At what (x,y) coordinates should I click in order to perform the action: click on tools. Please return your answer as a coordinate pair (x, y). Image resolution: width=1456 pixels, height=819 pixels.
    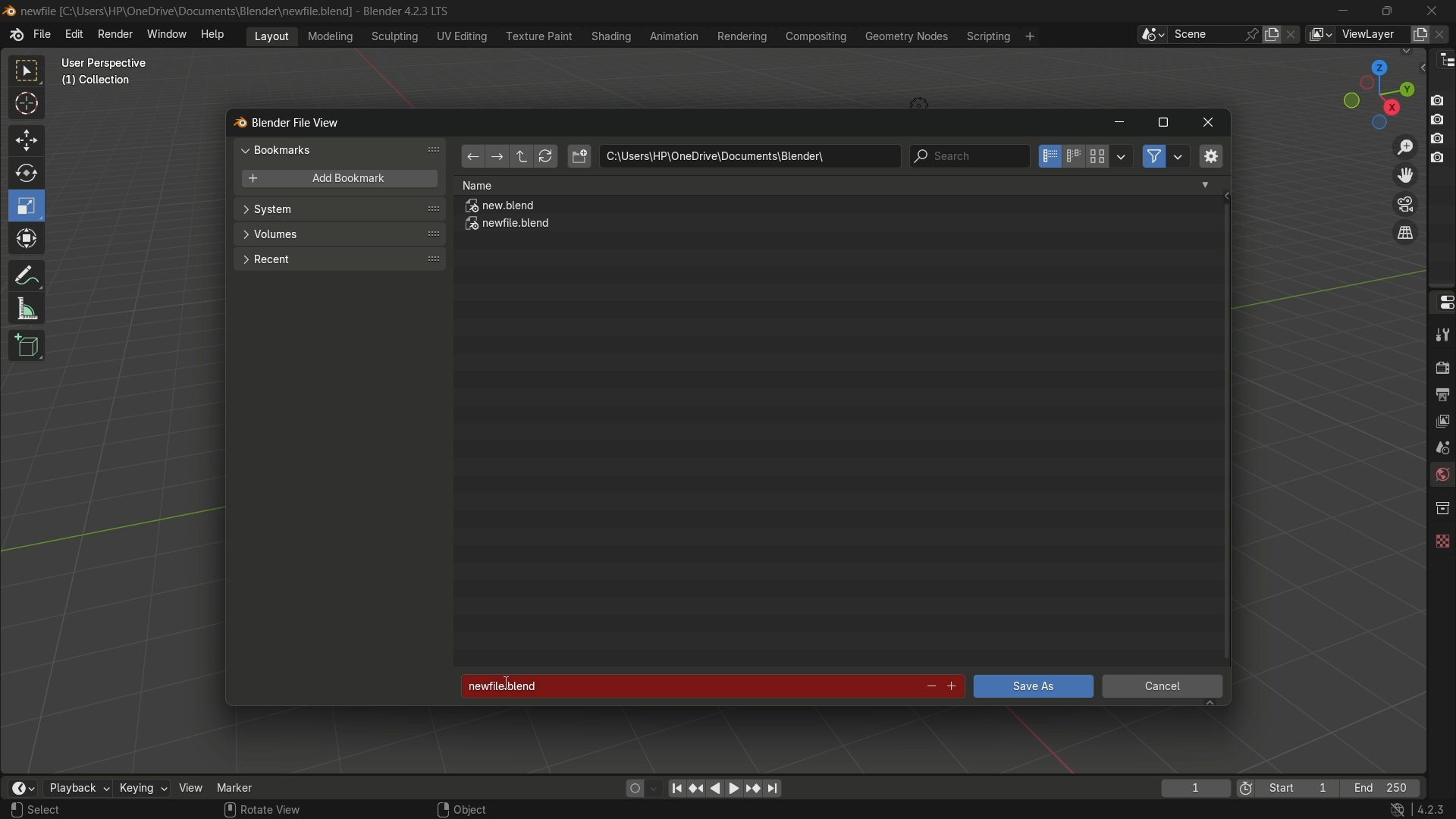
    Looking at the image, I should click on (1441, 334).